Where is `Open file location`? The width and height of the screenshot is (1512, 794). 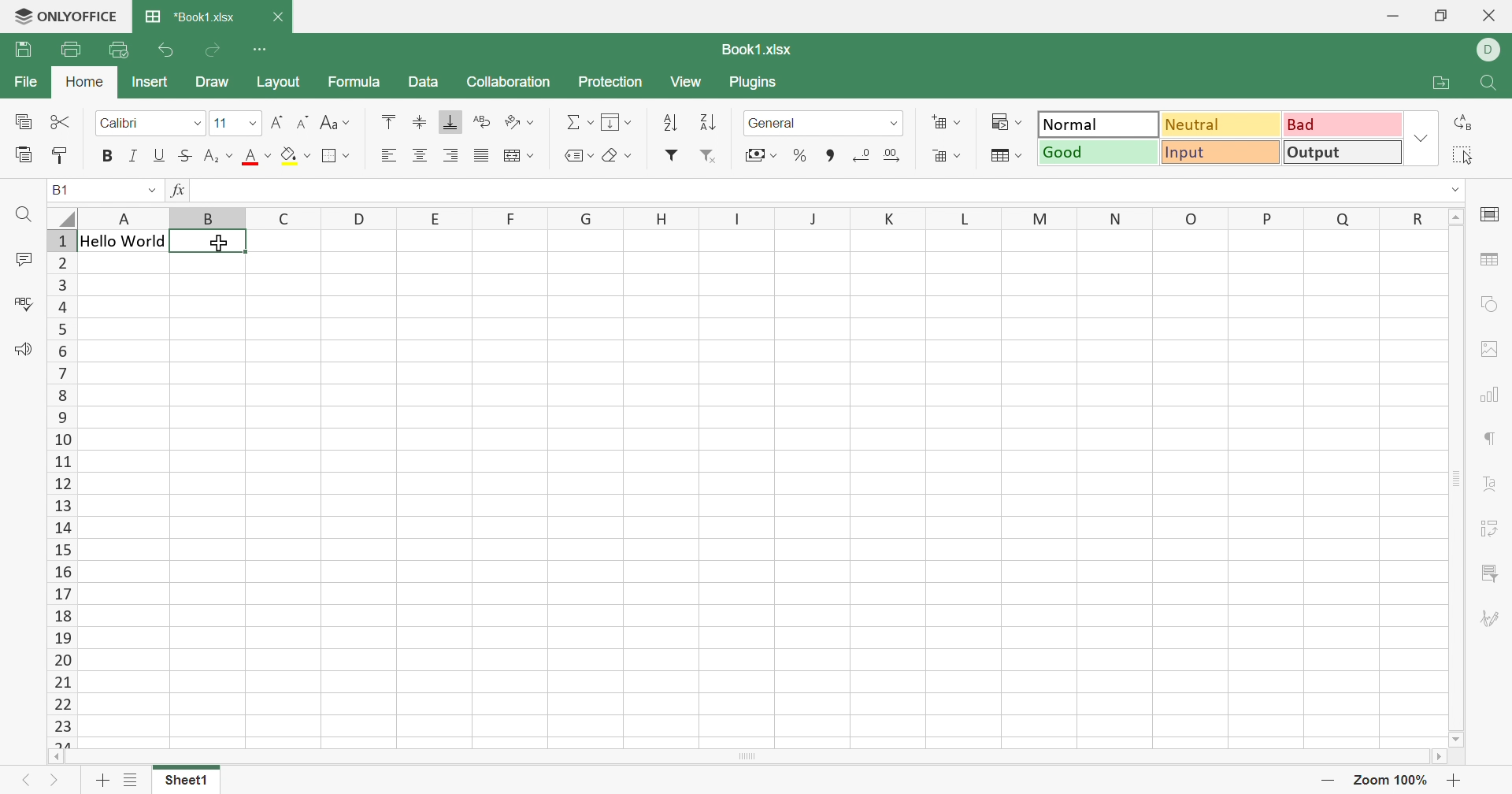
Open file location is located at coordinates (1441, 84).